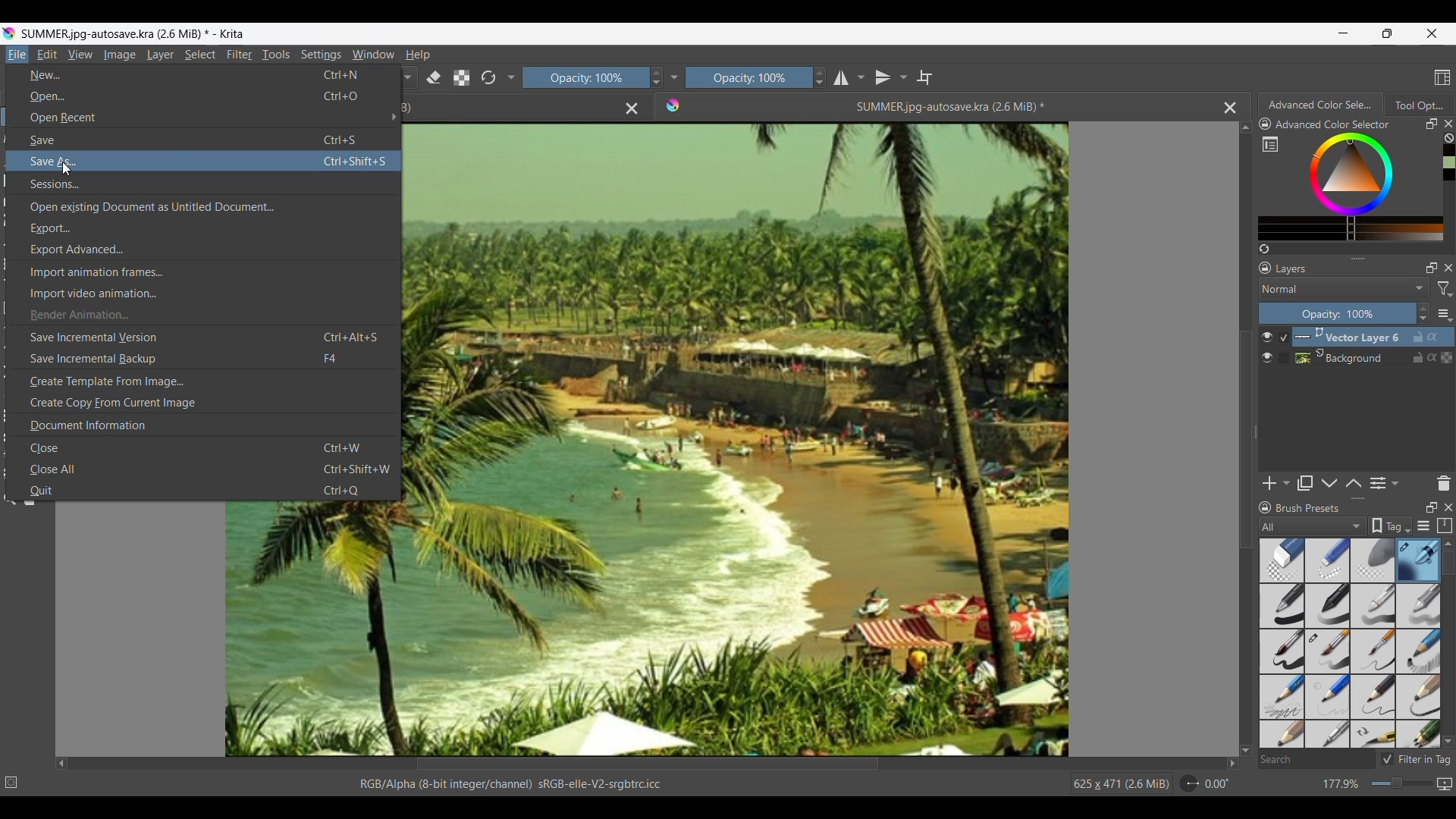  What do you see at coordinates (1276, 483) in the screenshot?
I see `Add new layer` at bounding box center [1276, 483].